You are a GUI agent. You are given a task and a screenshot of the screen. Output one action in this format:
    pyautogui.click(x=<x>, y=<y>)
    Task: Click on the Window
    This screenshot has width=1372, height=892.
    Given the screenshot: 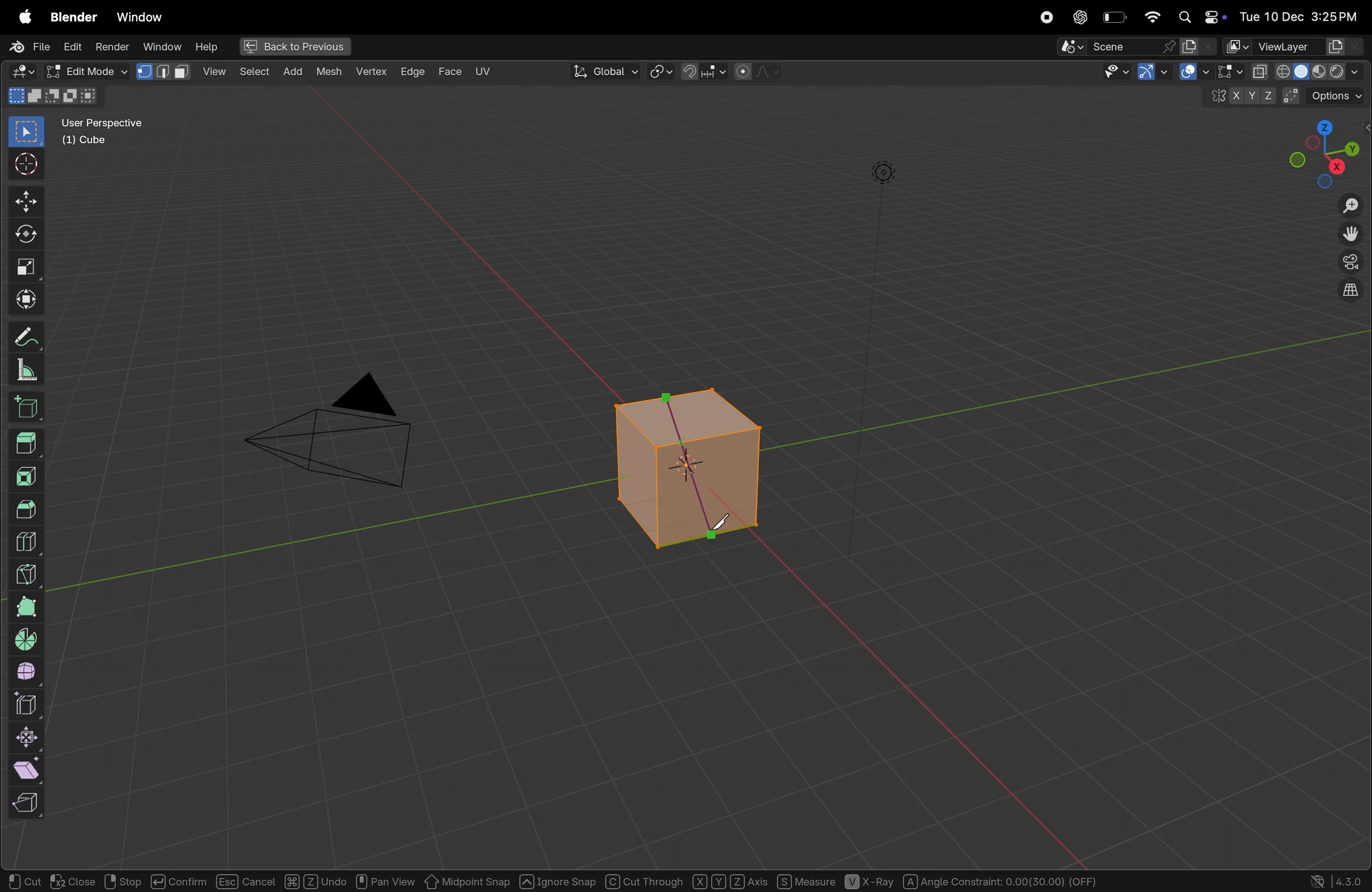 What is the action you would take?
    pyautogui.click(x=139, y=17)
    